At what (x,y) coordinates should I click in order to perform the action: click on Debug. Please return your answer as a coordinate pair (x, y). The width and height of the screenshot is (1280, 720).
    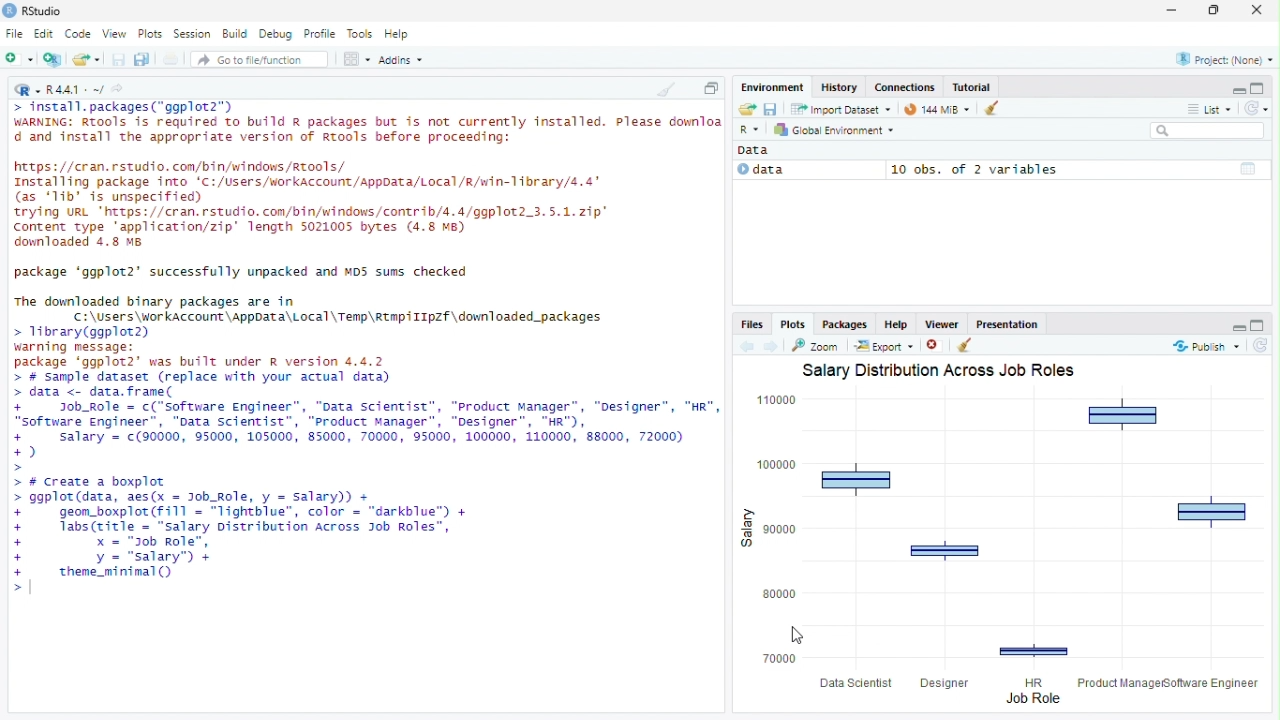
    Looking at the image, I should click on (276, 34).